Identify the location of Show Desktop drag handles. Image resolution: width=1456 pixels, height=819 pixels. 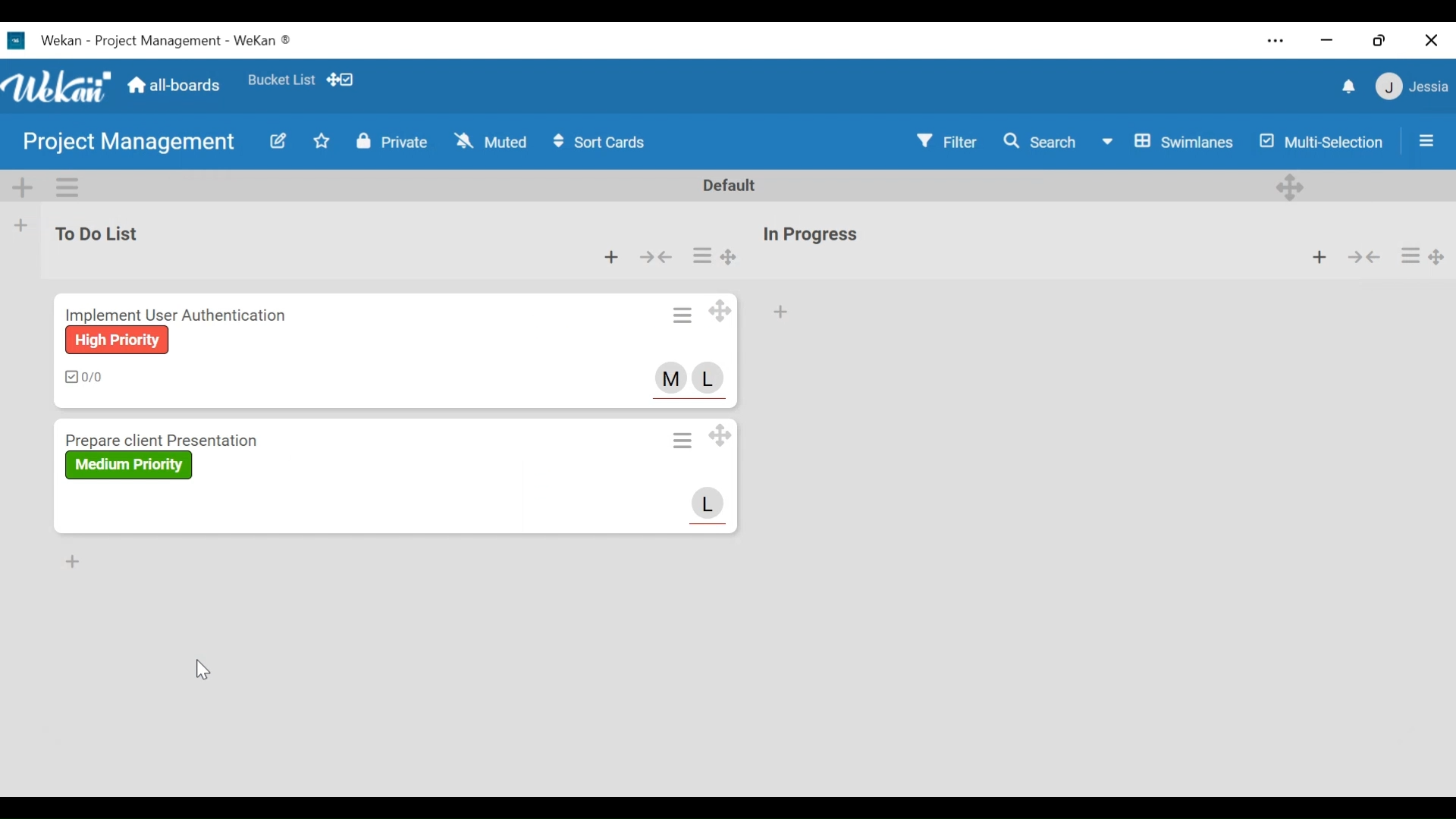
(342, 80).